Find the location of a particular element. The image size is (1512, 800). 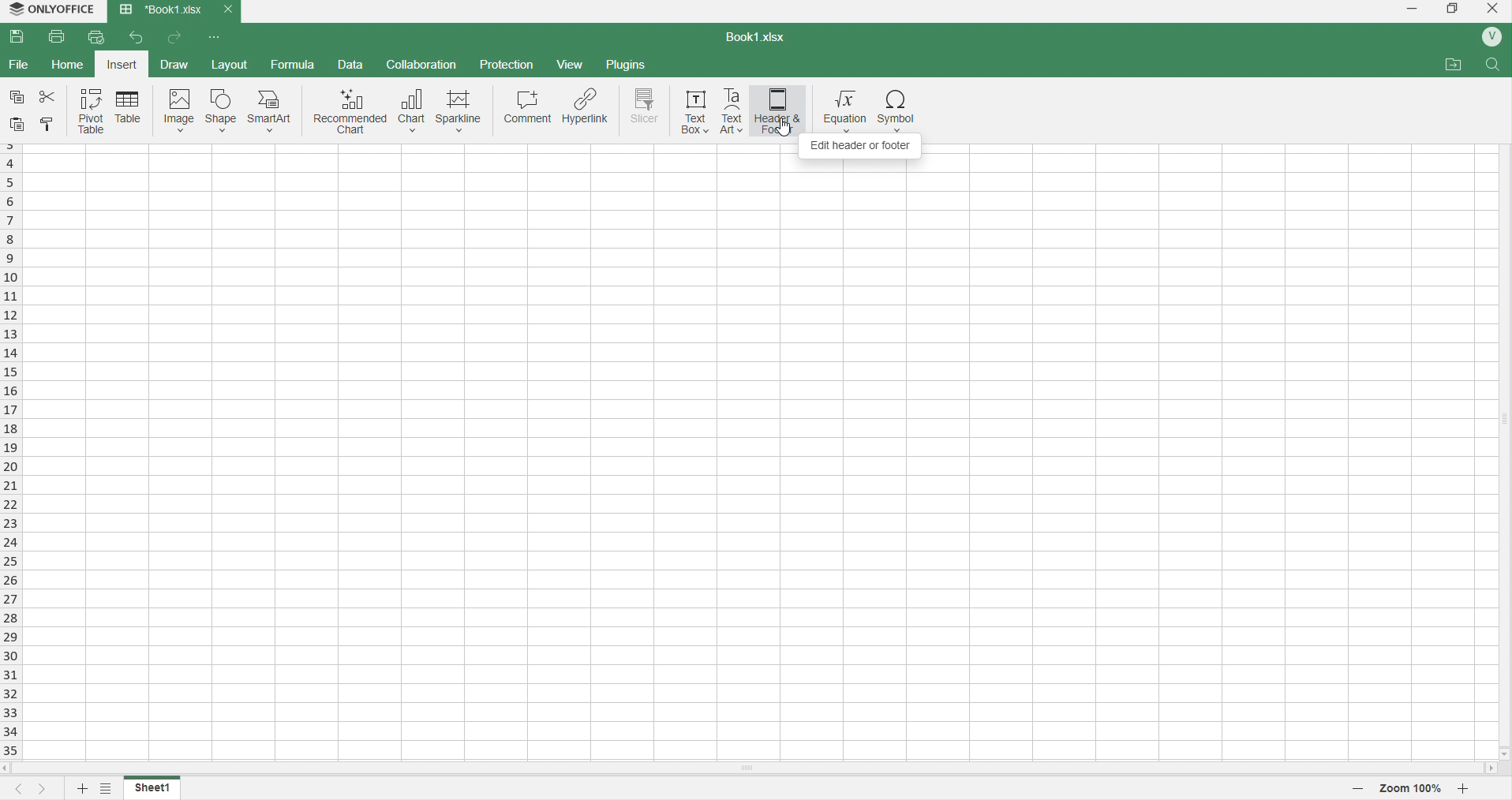

collaboration is located at coordinates (424, 64).